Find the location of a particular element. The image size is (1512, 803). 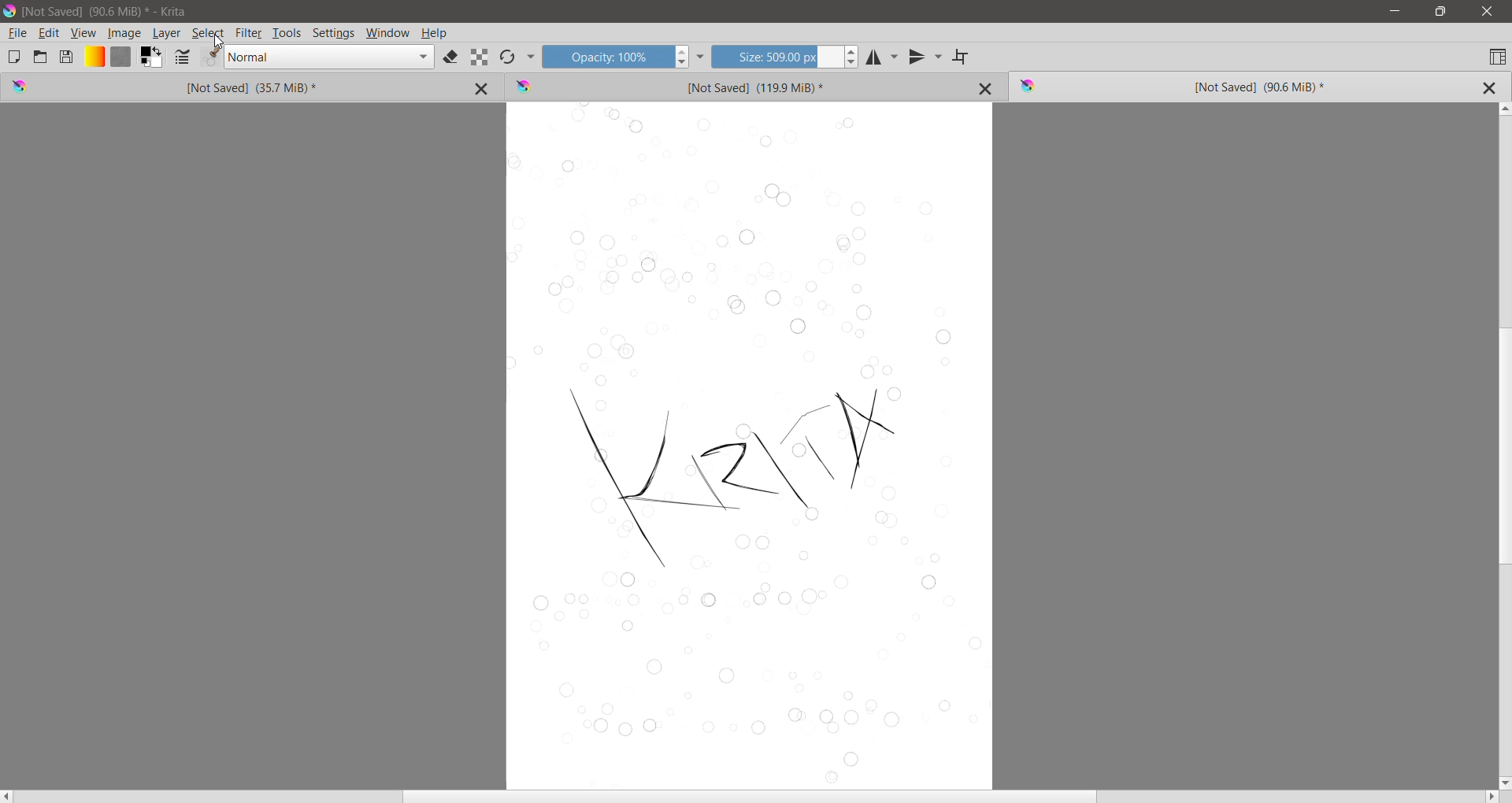

Fill Gradients is located at coordinates (94, 57).